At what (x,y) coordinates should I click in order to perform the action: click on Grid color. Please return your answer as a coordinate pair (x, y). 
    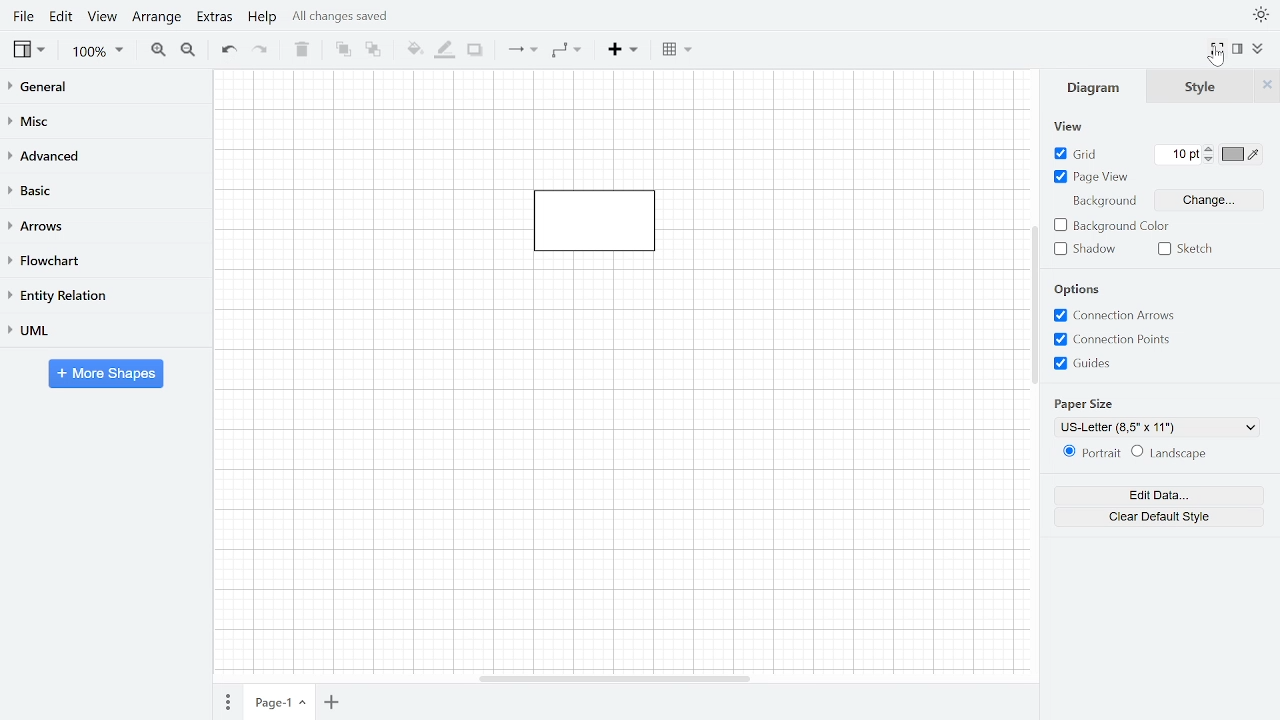
    Looking at the image, I should click on (1243, 154).